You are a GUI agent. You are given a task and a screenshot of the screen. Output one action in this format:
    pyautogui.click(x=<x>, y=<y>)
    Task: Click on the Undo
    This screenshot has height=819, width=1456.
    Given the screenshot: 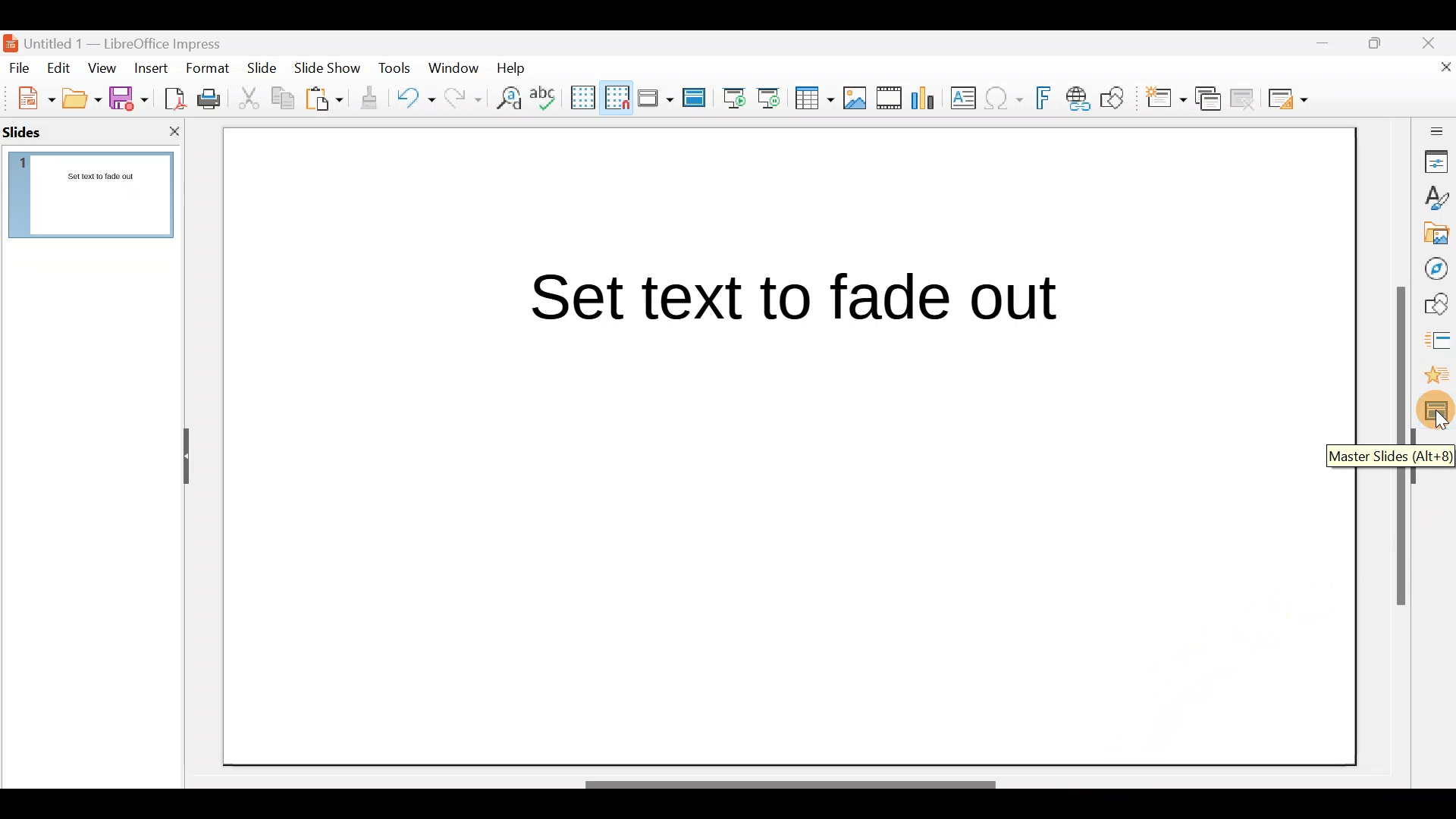 What is the action you would take?
    pyautogui.click(x=416, y=101)
    